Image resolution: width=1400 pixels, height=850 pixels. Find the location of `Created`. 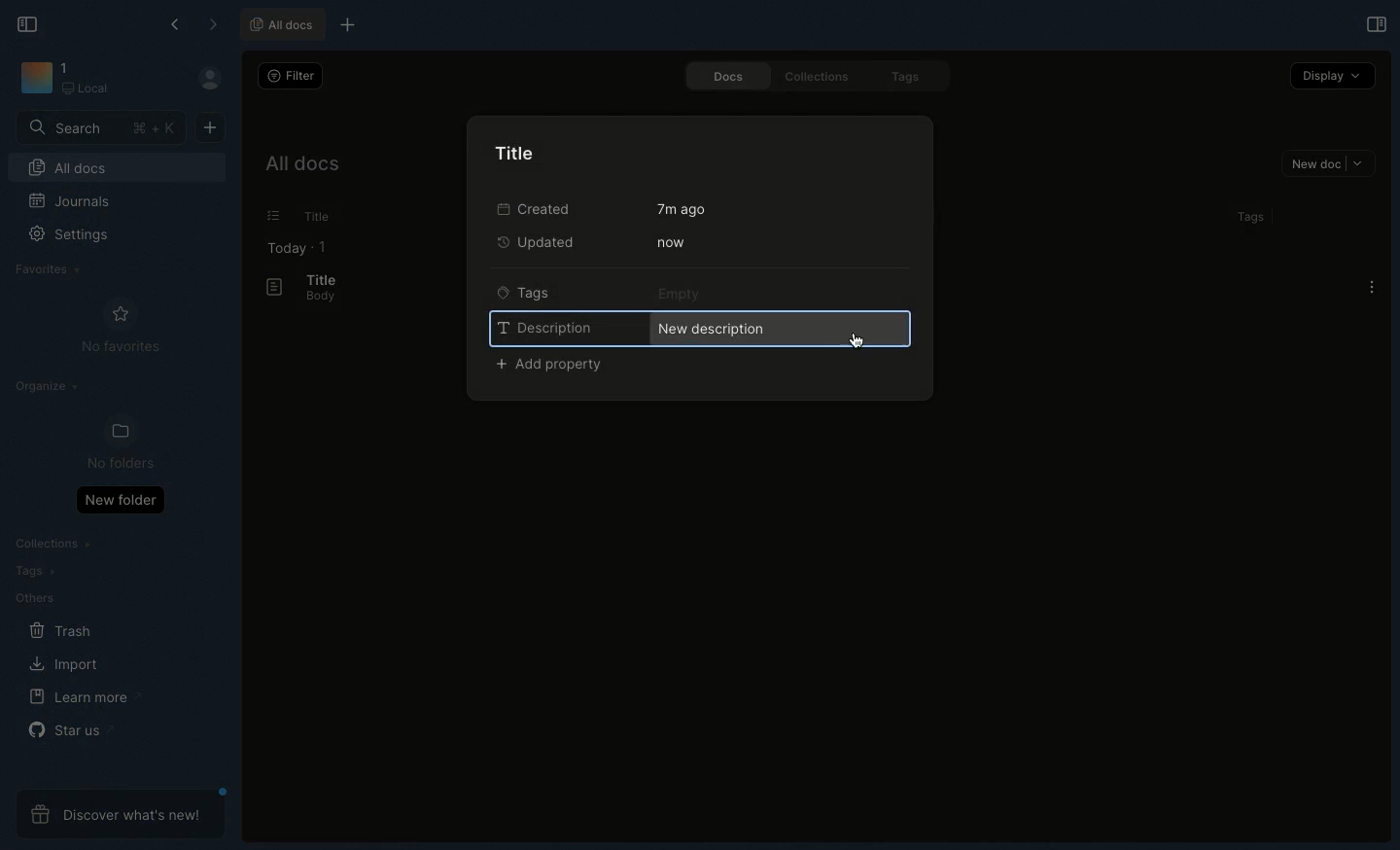

Created is located at coordinates (531, 208).